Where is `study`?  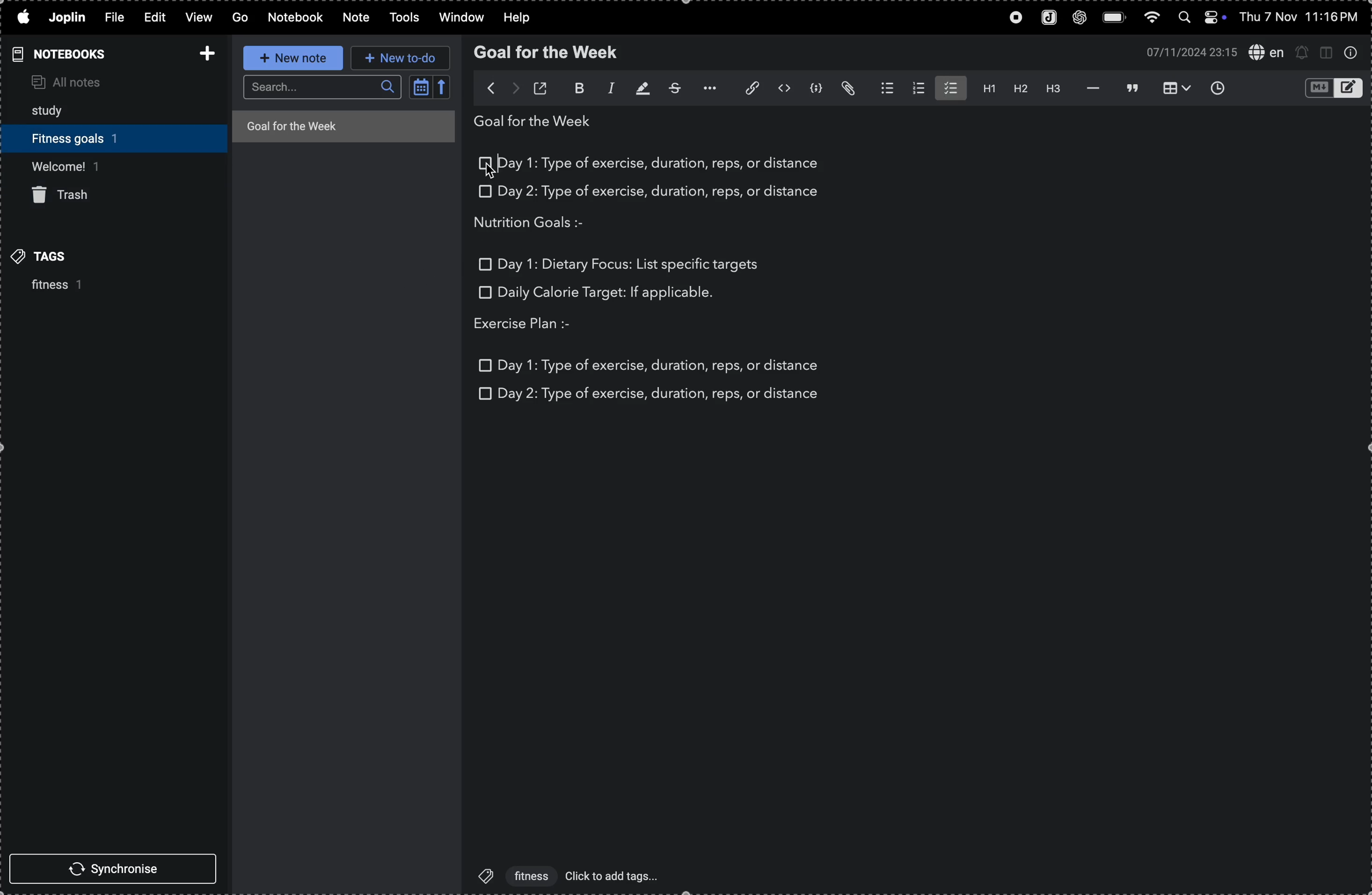 study is located at coordinates (56, 108).